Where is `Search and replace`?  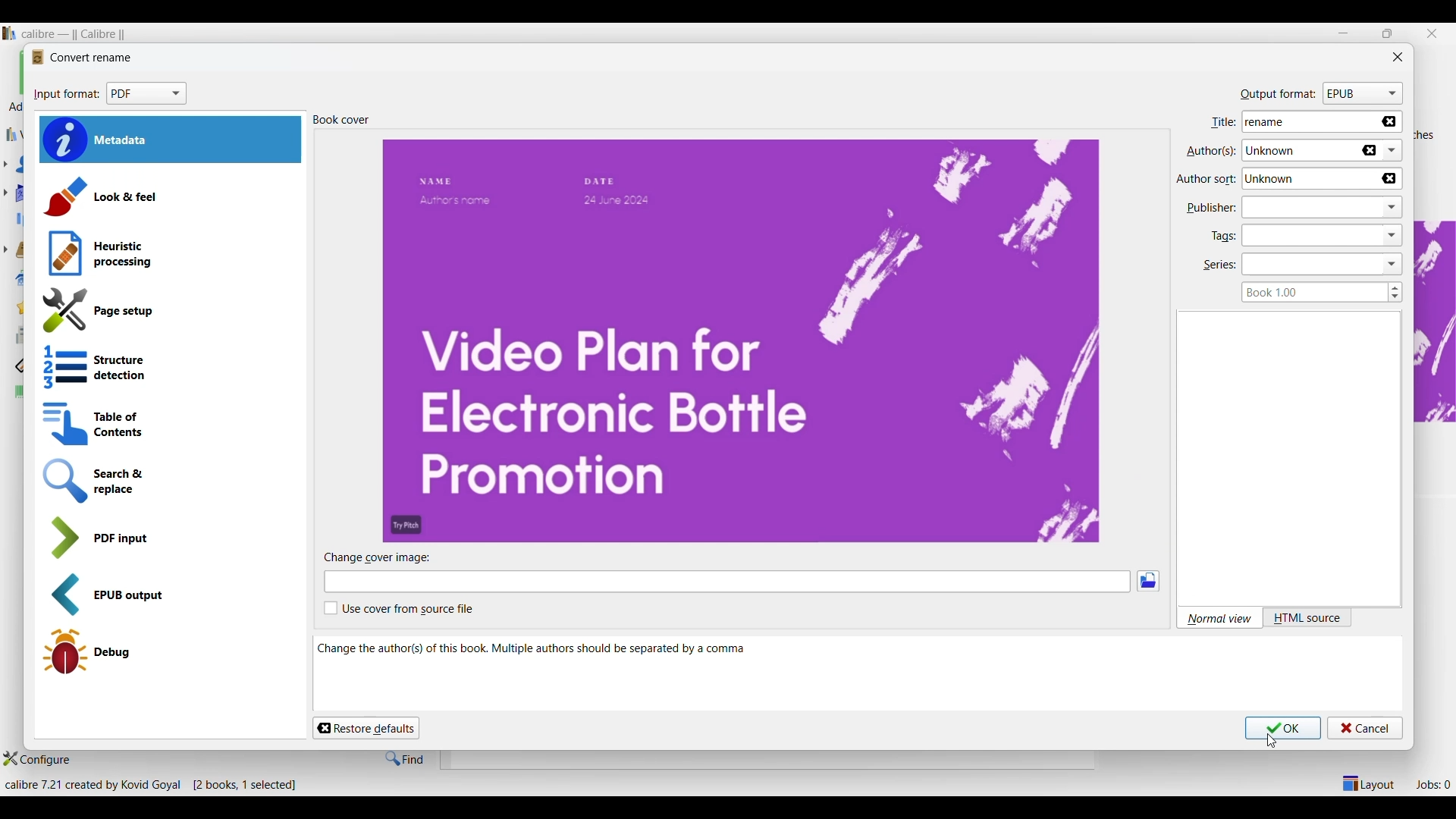 Search and replace is located at coordinates (165, 482).